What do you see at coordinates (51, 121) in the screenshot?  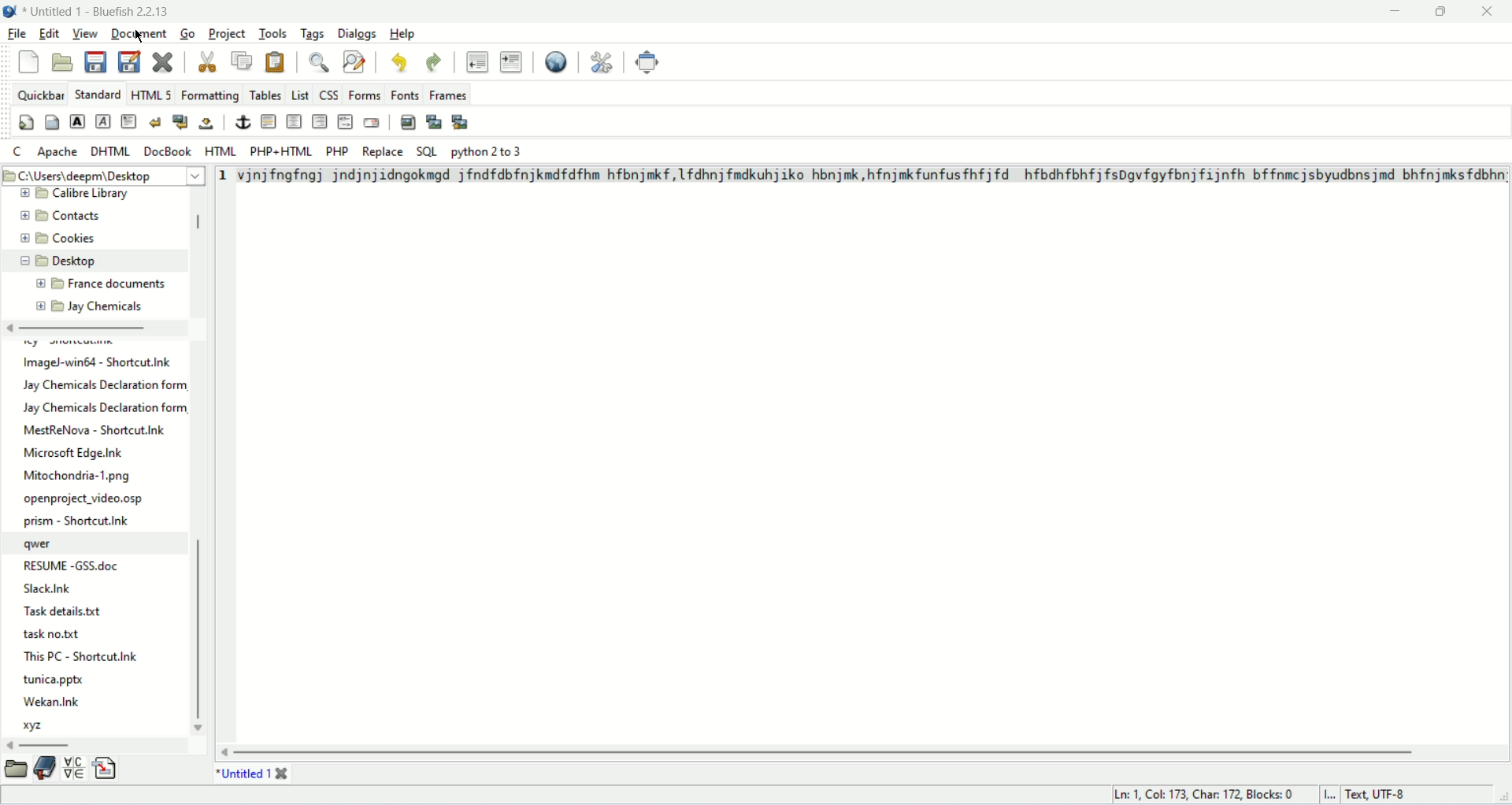 I see `body` at bounding box center [51, 121].